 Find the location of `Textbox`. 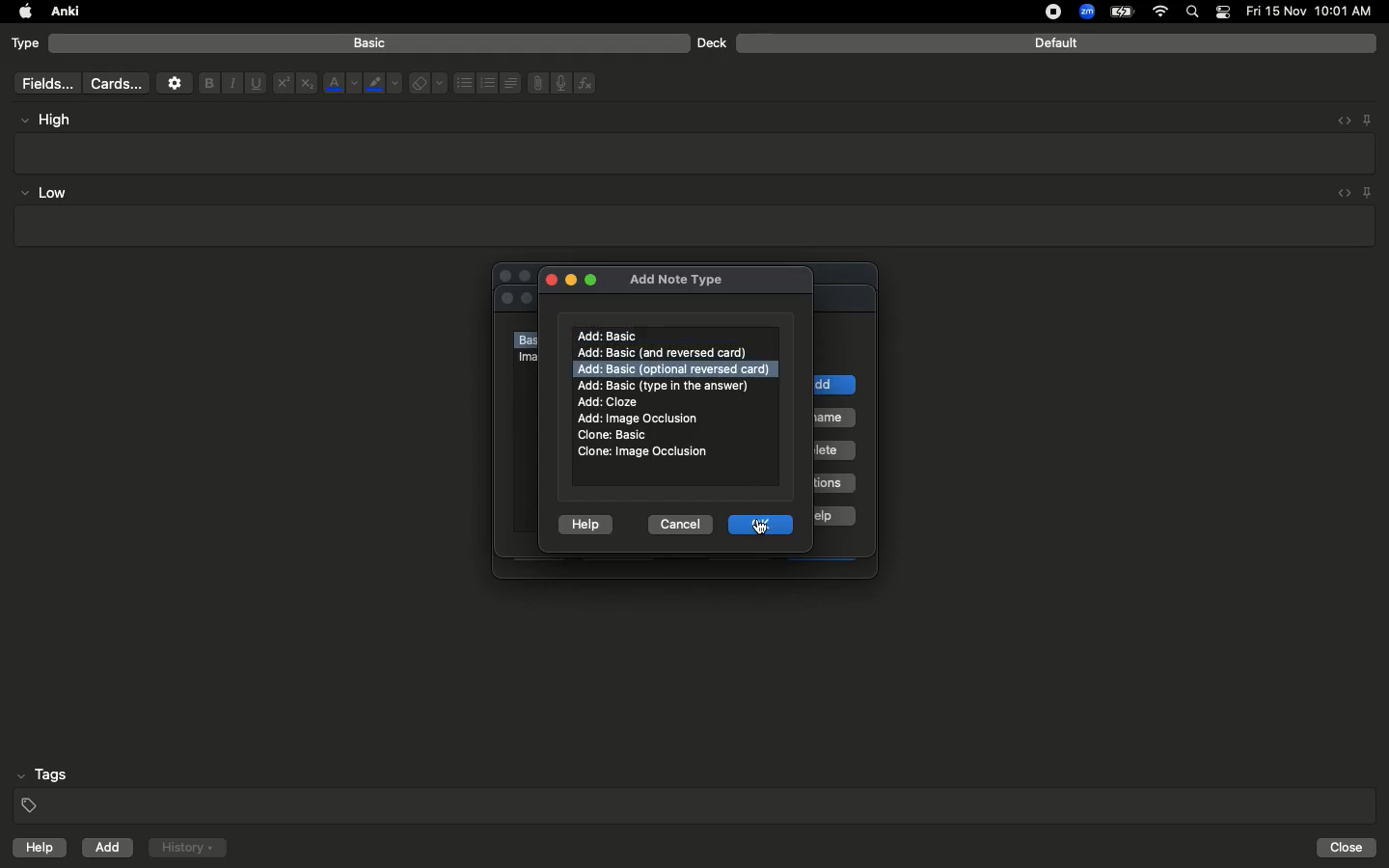

Textbox is located at coordinates (692, 227).